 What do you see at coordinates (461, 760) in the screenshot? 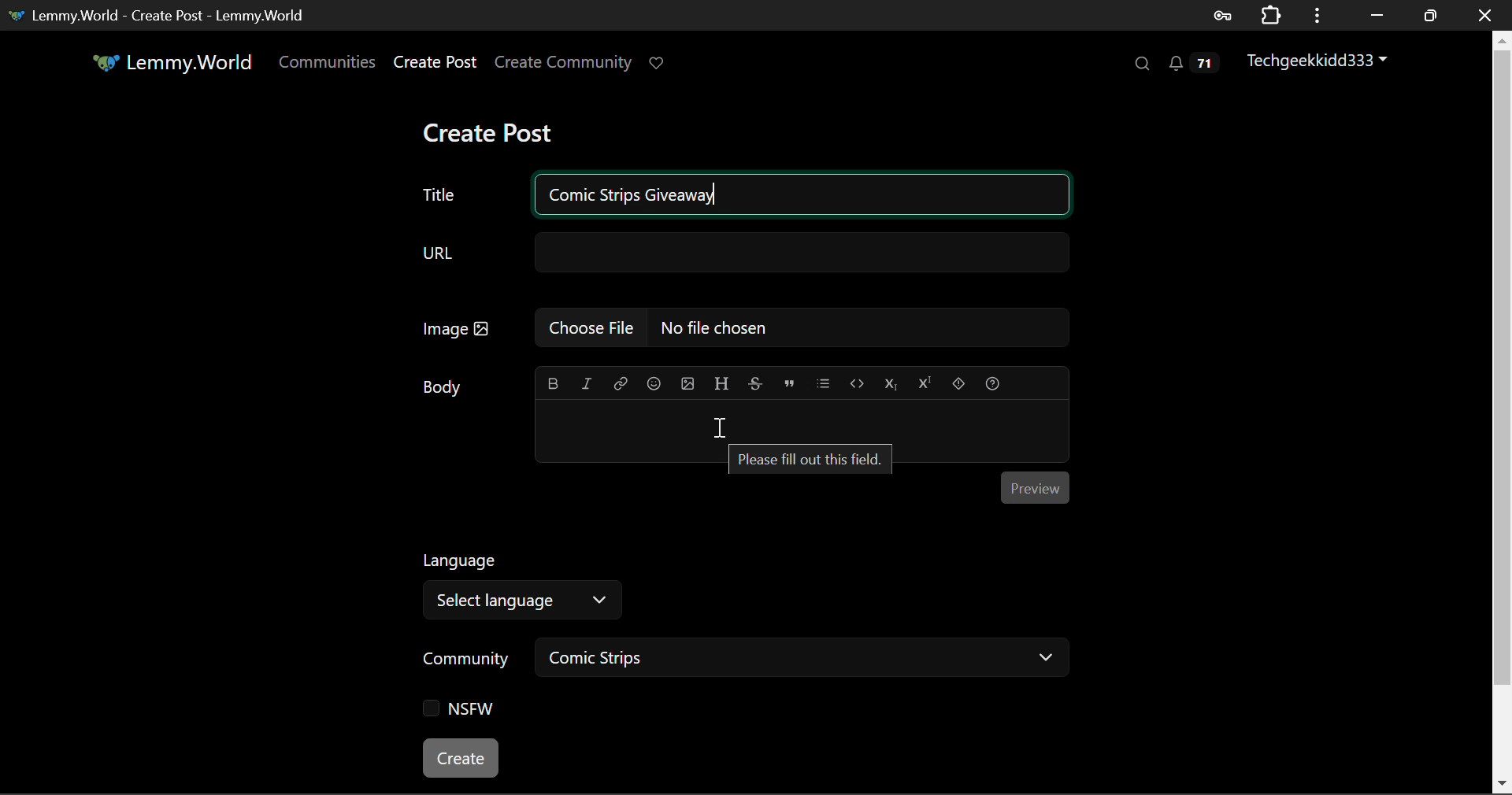
I see `Create` at bounding box center [461, 760].